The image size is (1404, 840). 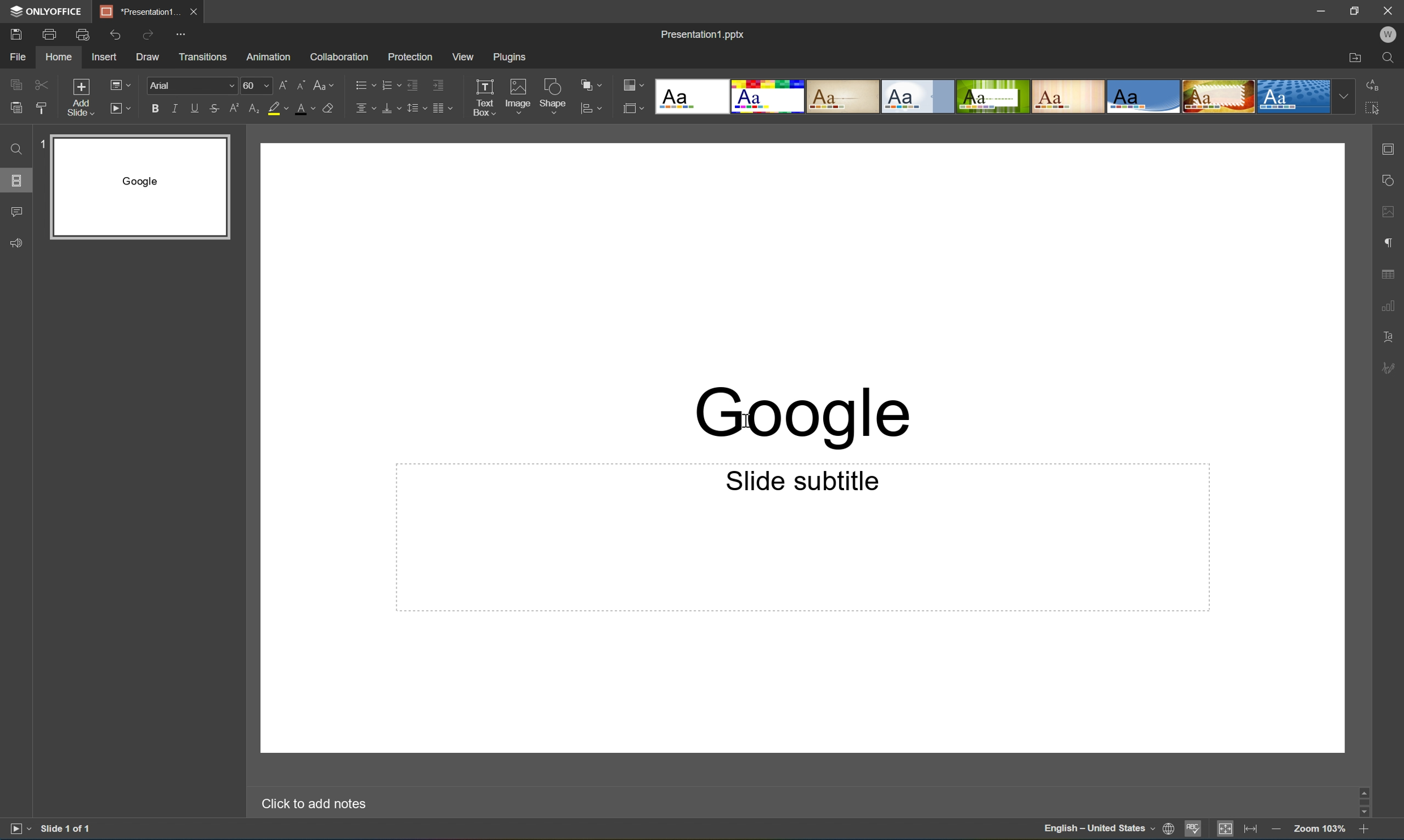 What do you see at coordinates (16, 213) in the screenshot?
I see `Comments` at bounding box center [16, 213].